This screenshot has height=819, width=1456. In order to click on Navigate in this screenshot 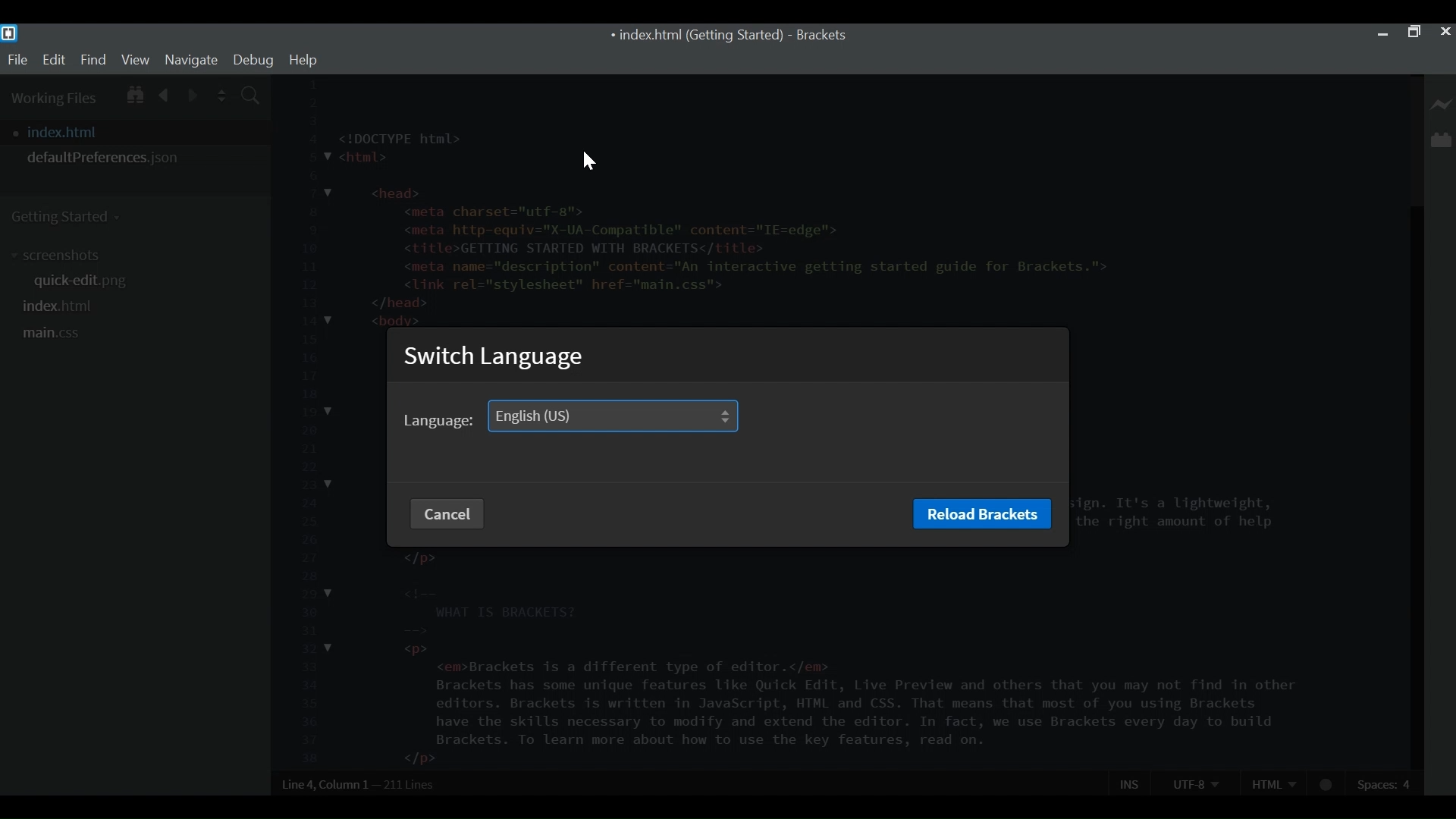, I will do `click(190, 59)`.